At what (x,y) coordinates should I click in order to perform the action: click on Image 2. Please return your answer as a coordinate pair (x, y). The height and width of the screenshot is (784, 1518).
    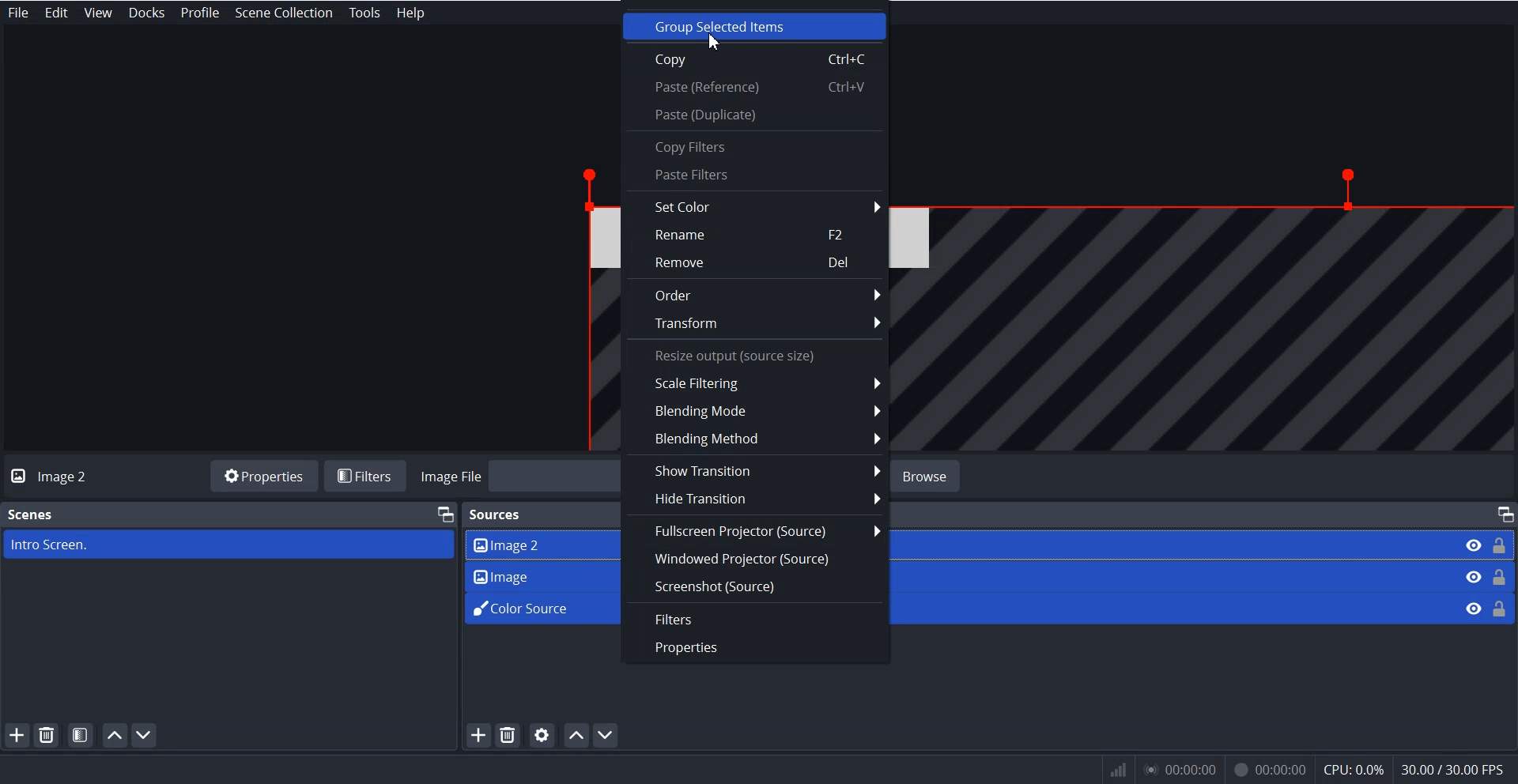
    Looking at the image, I should click on (69, 477).